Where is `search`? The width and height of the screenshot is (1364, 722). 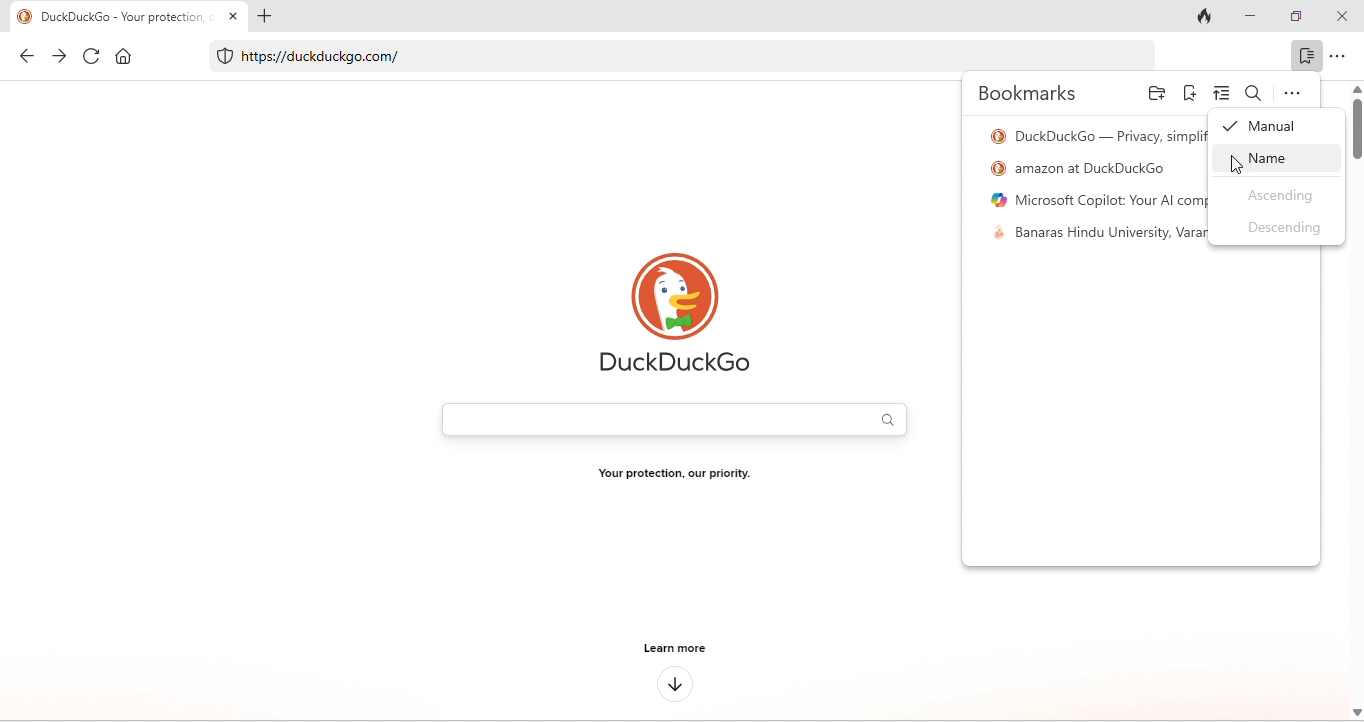 search is located at coordinates (1255, 91).